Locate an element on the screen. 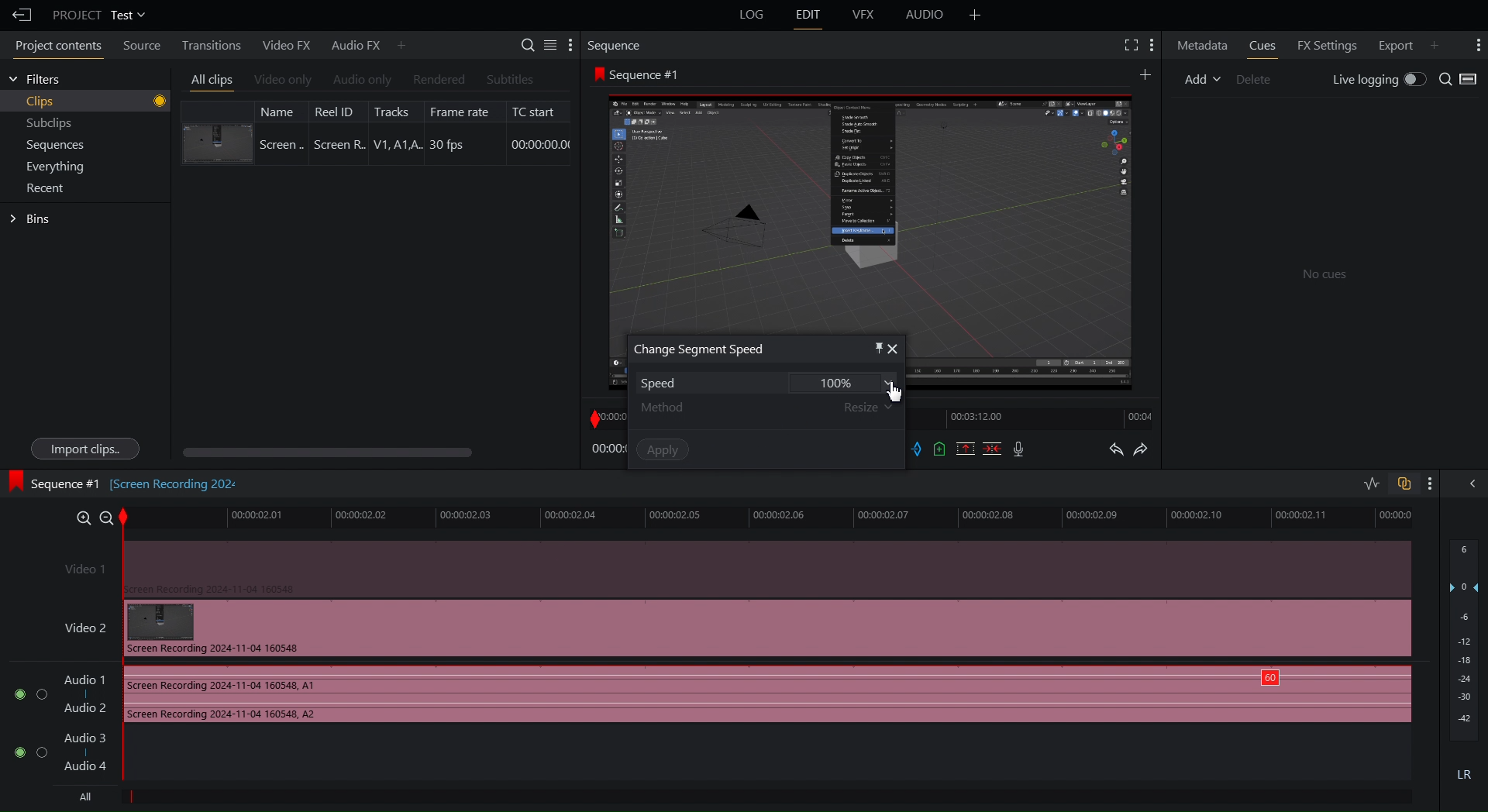 The image size is (1488, 812). Method is located at coordinates (767, 407).